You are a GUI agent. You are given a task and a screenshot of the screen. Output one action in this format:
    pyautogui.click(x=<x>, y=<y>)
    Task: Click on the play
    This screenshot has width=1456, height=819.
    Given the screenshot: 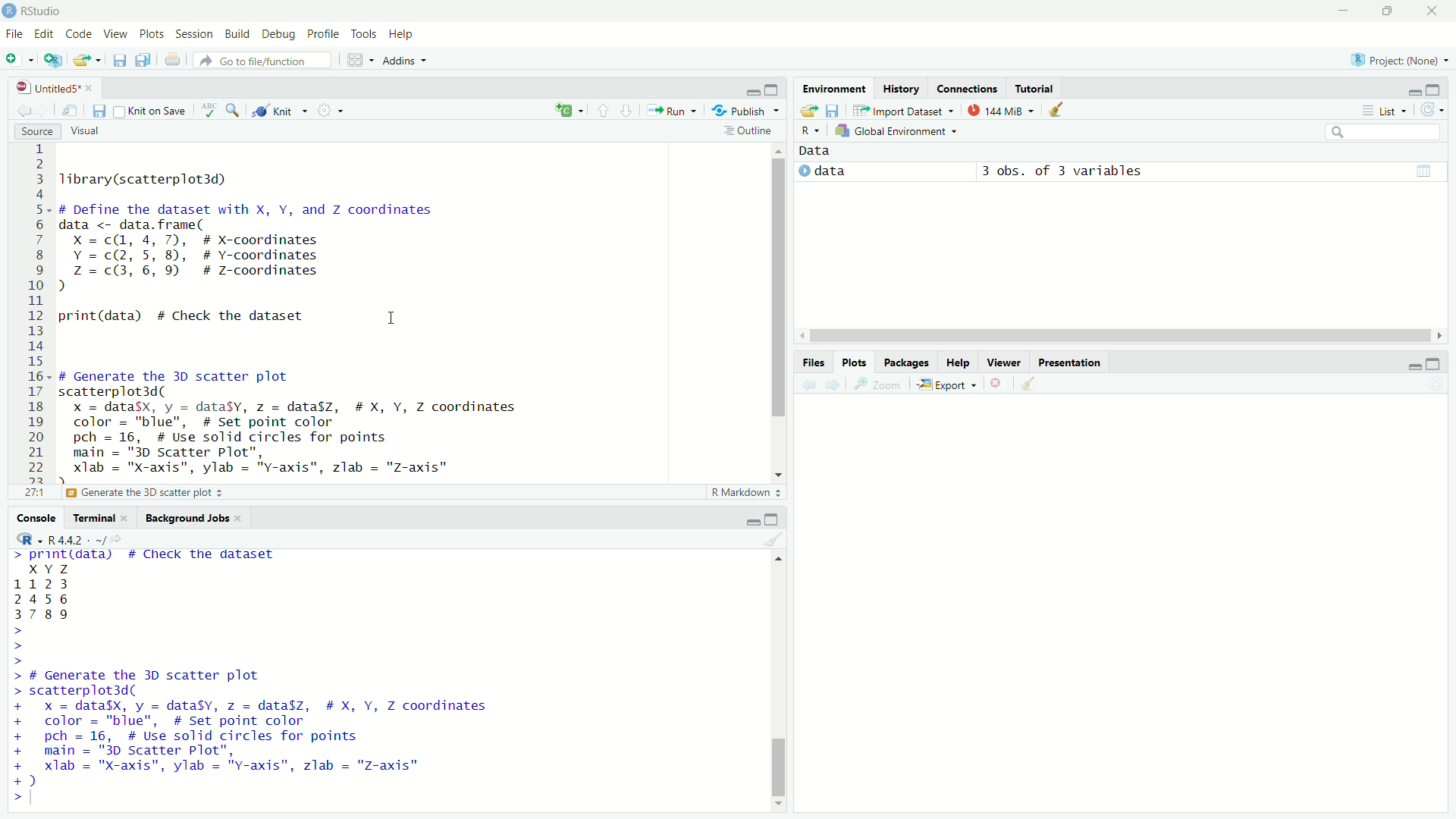 What is the action you would take?
    pyautogui.click(x=800, y=172)
    